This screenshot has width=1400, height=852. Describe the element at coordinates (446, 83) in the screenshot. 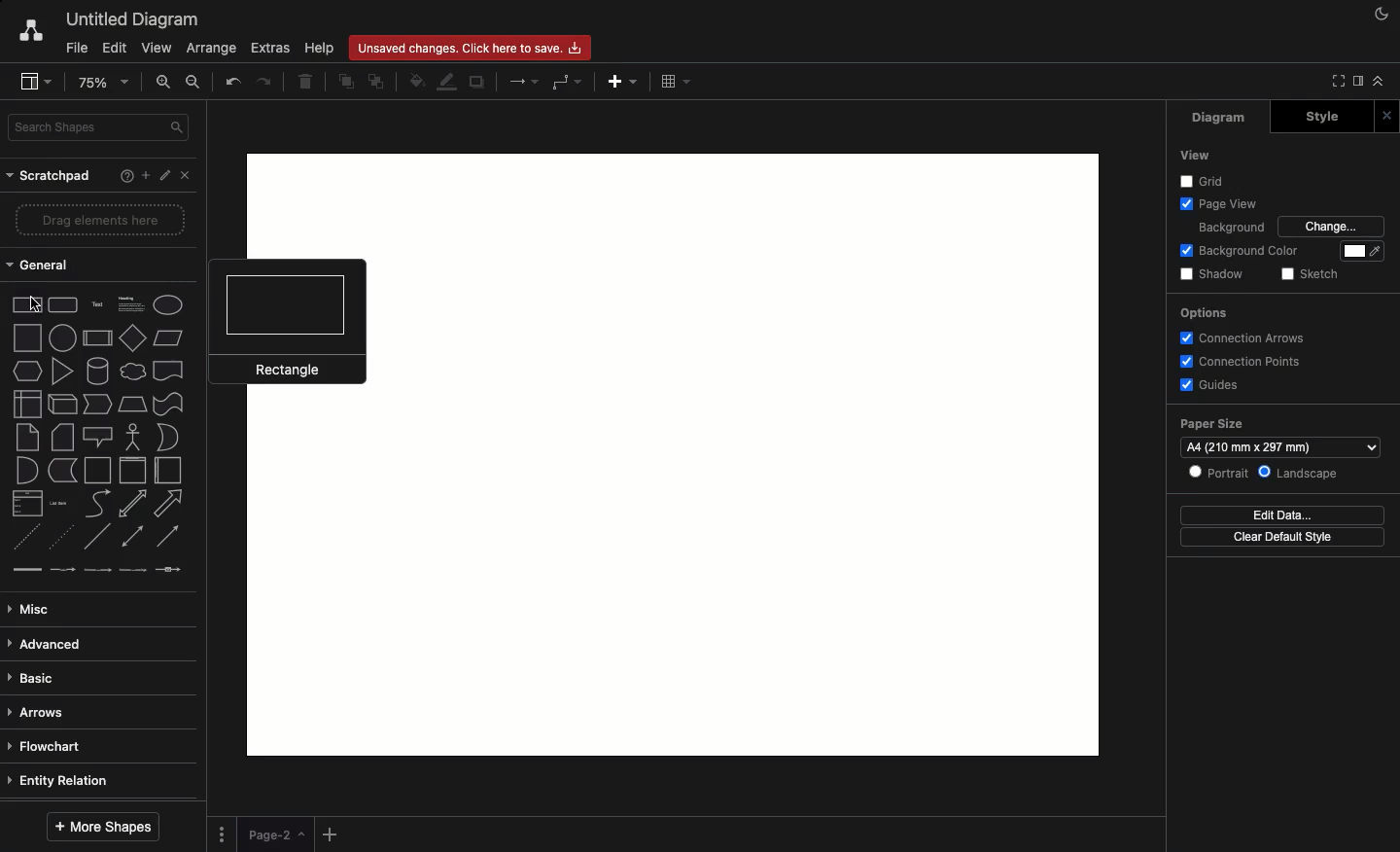

I see `Line color` at that location.